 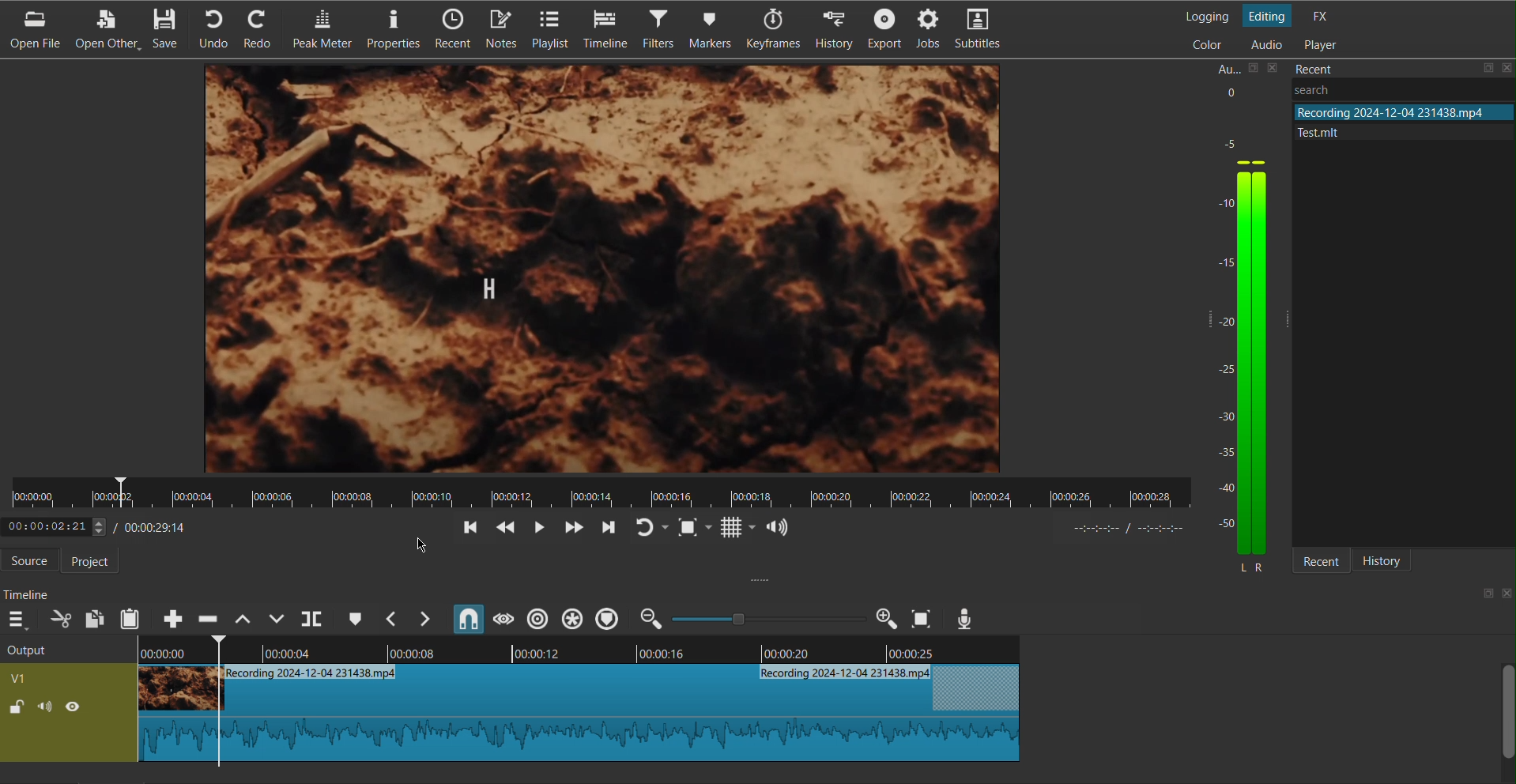 What do you see at coordinates (738, 529) in the screenshot?
I see `Grid Display` at bounding box center [738, 529].